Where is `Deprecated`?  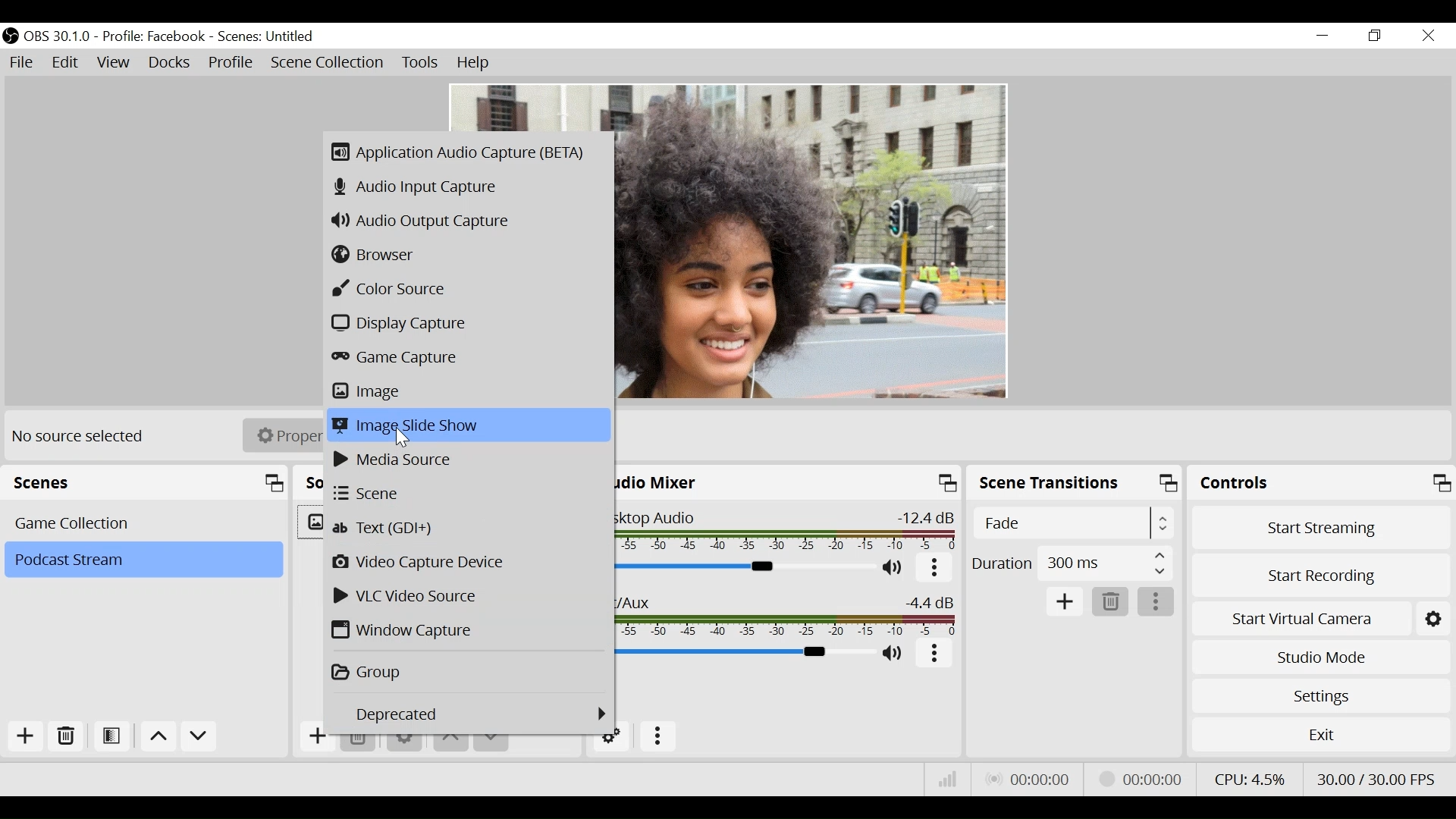
Deprecated is located at coordinates (481, 715).